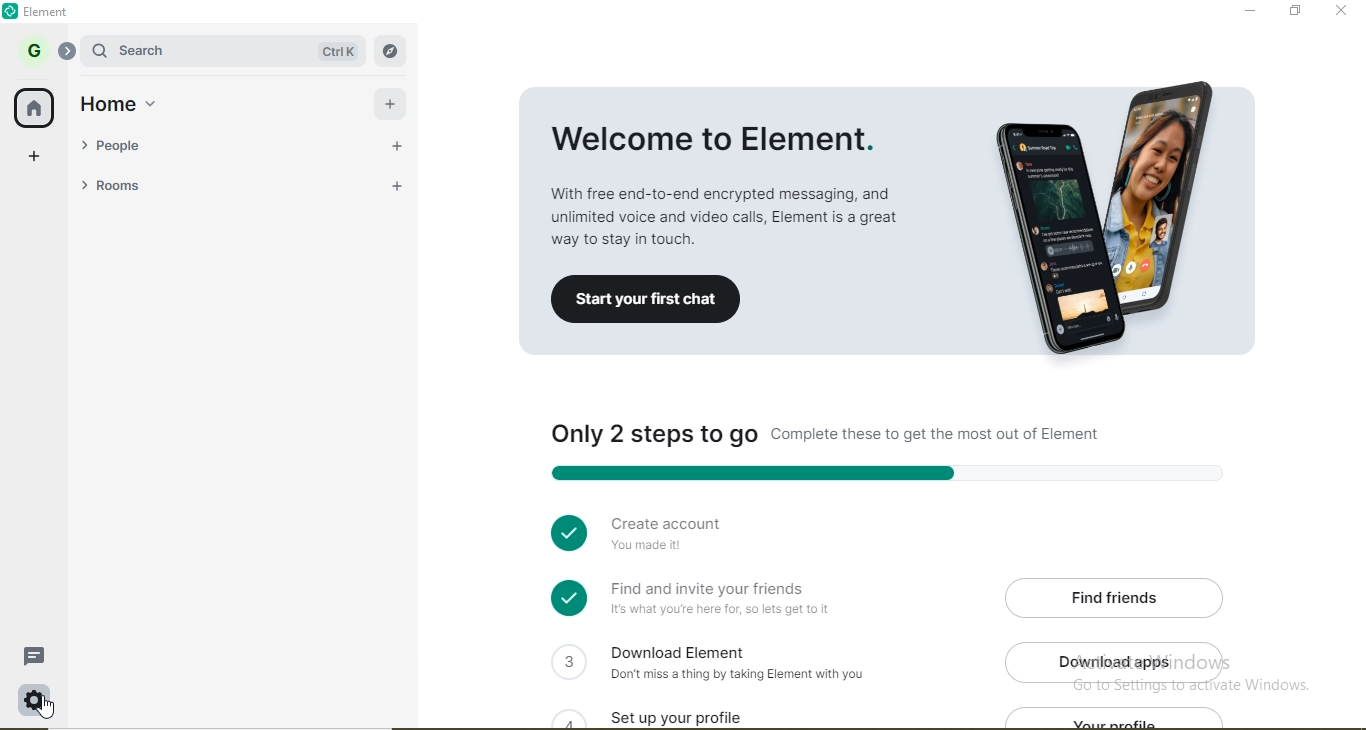 Image resolution: width=1366 pixels, height=730 pixels. Describe the element at coordinates (562, 713) in the screenshot. I see `4` at that location.